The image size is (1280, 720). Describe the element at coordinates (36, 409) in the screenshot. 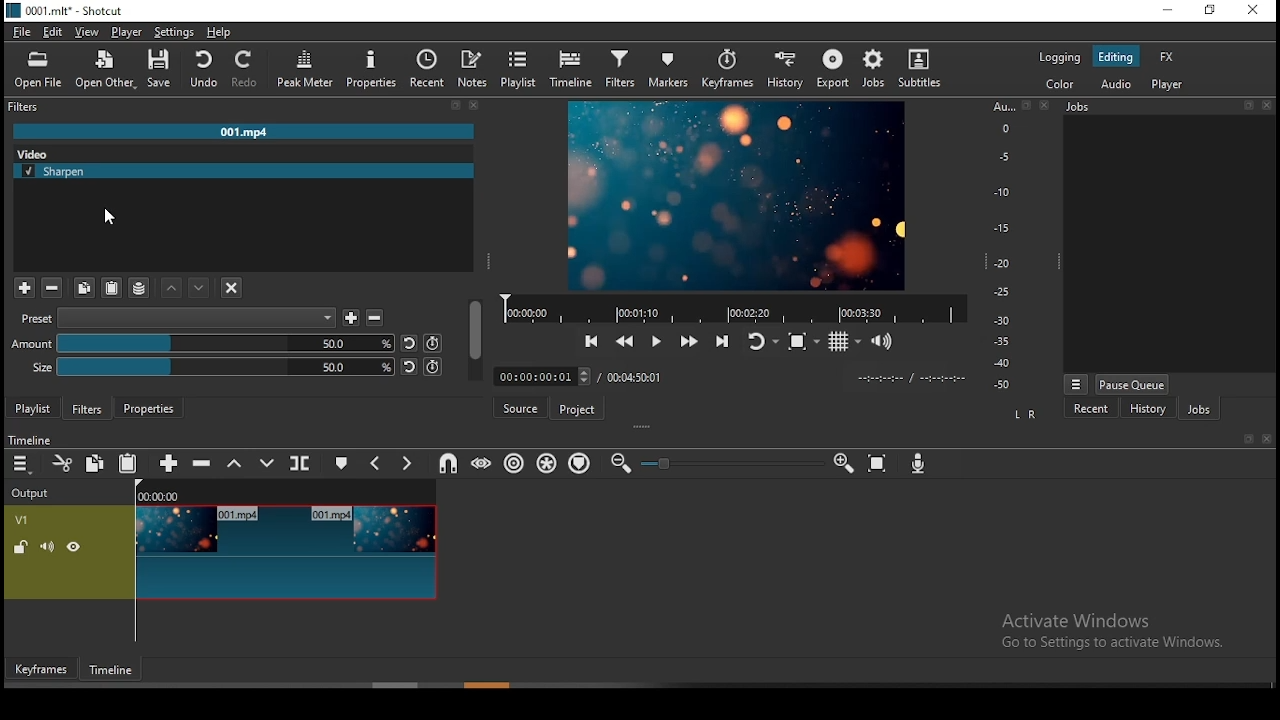

I see `playlist` at that location.